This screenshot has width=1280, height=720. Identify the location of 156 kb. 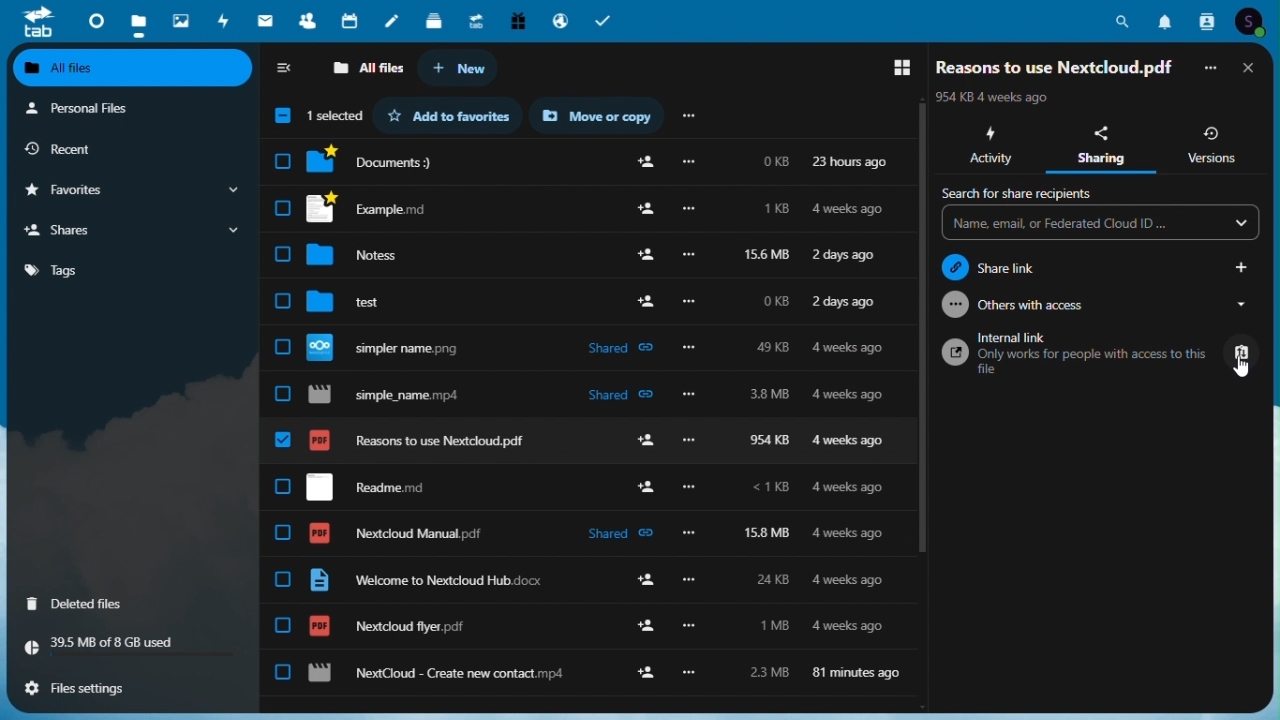
(770, 256).